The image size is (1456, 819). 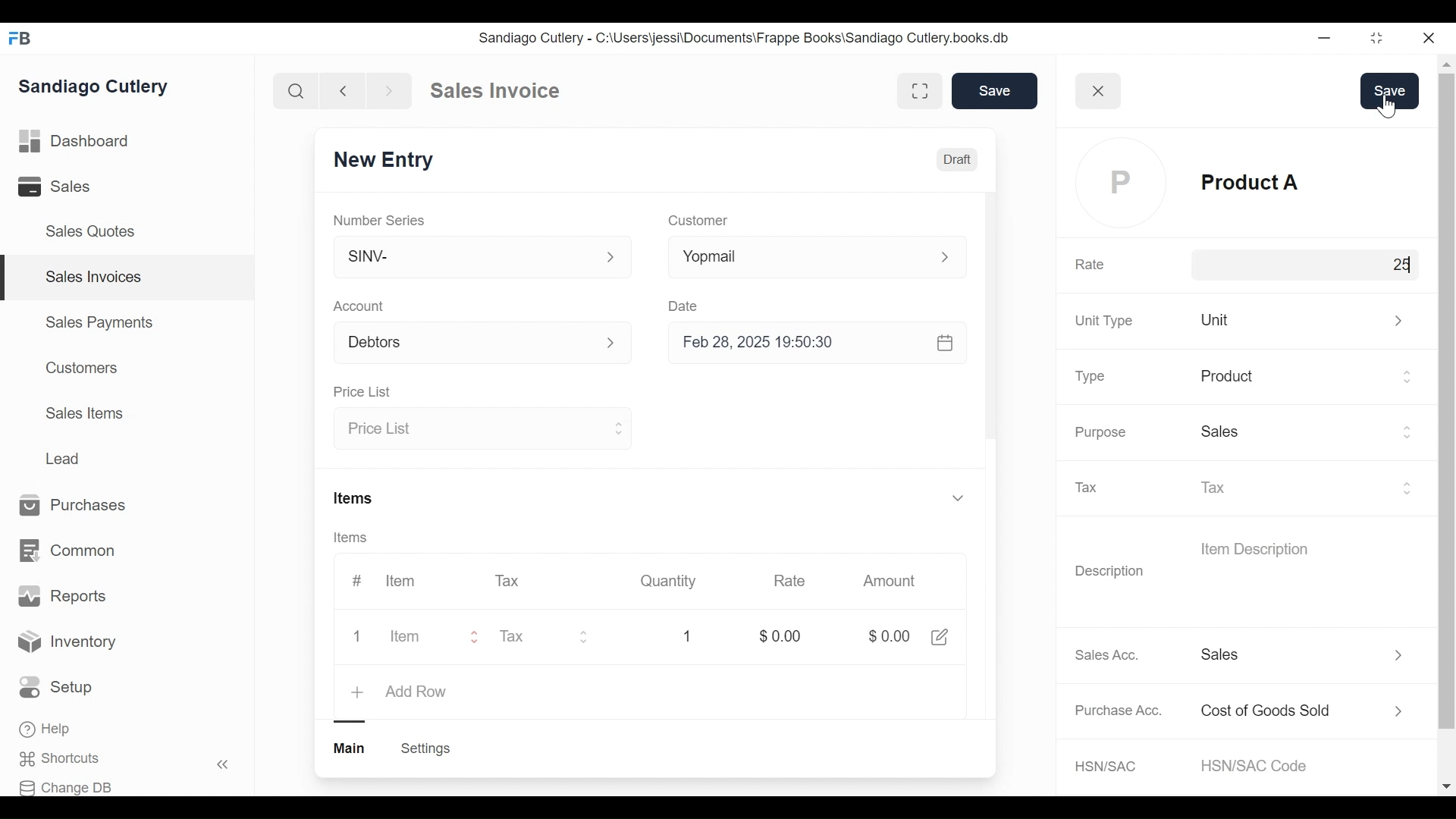 I want to click on Unit Type, so click(x=1104, y=322).